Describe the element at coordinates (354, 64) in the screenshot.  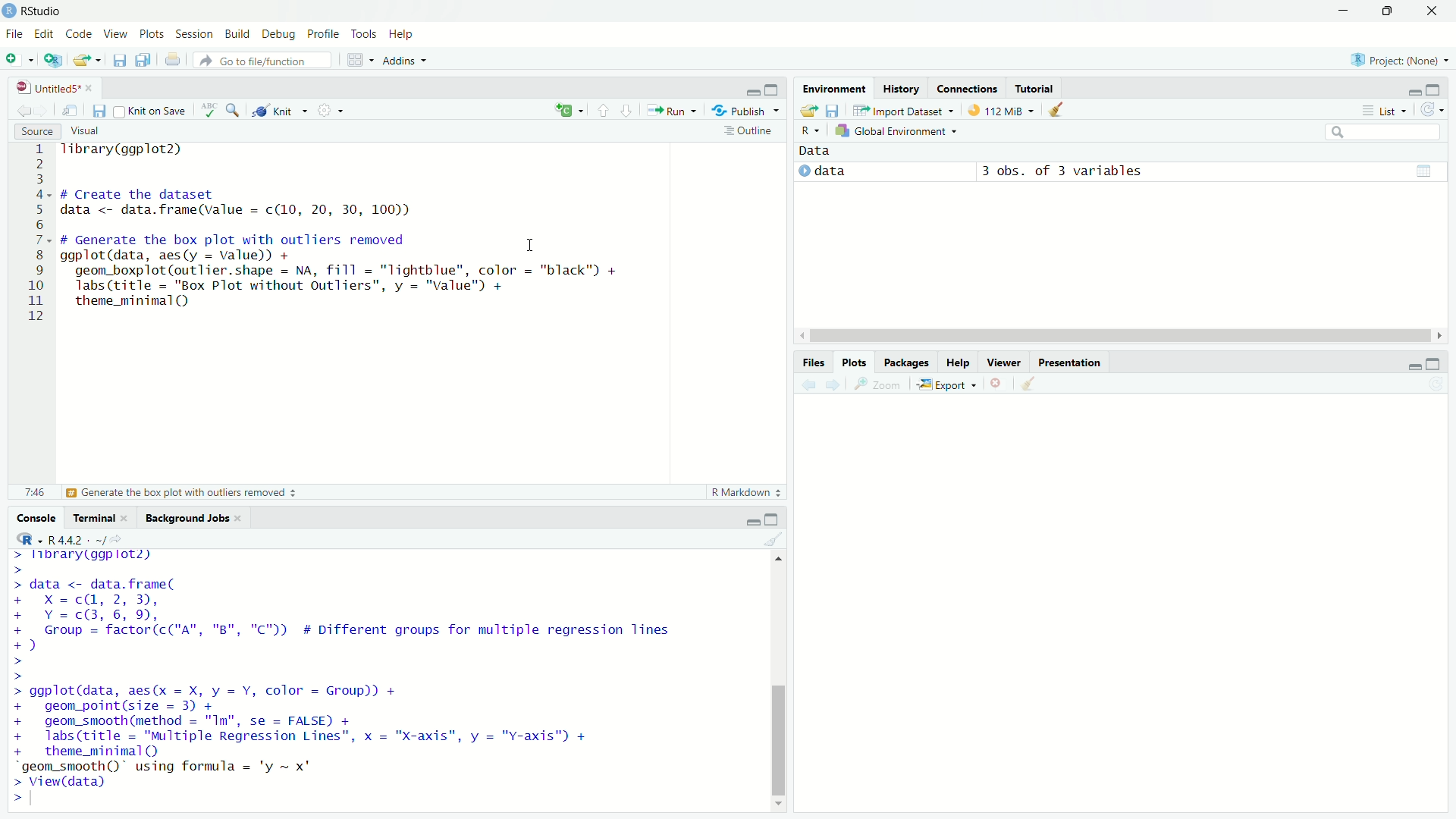
I see `grid` at that location.